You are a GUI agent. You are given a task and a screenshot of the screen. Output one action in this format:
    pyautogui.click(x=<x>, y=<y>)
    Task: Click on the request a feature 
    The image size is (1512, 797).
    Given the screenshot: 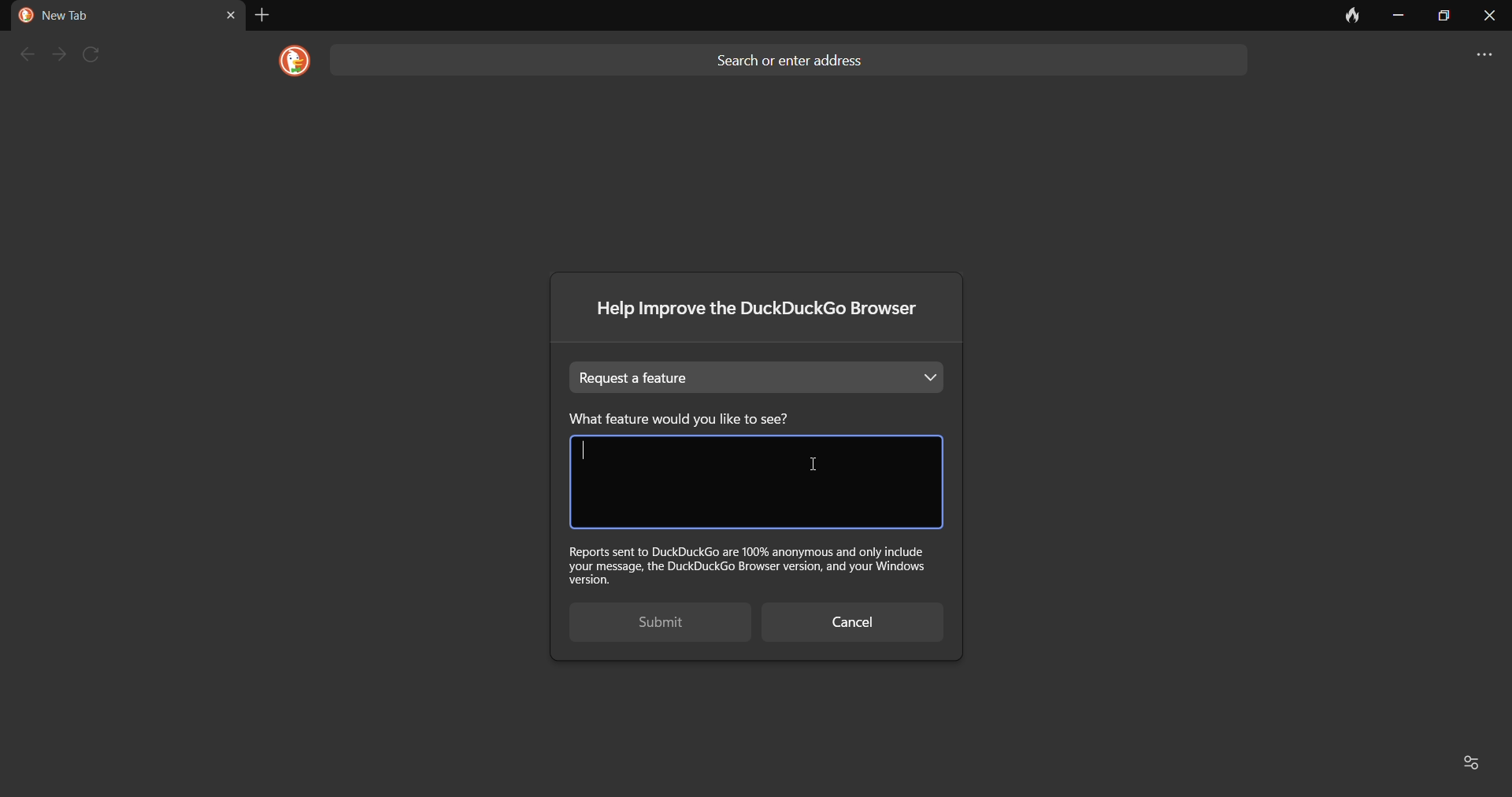 What is the action you would take?
    pyautogui.click(x=760, y=377)
    